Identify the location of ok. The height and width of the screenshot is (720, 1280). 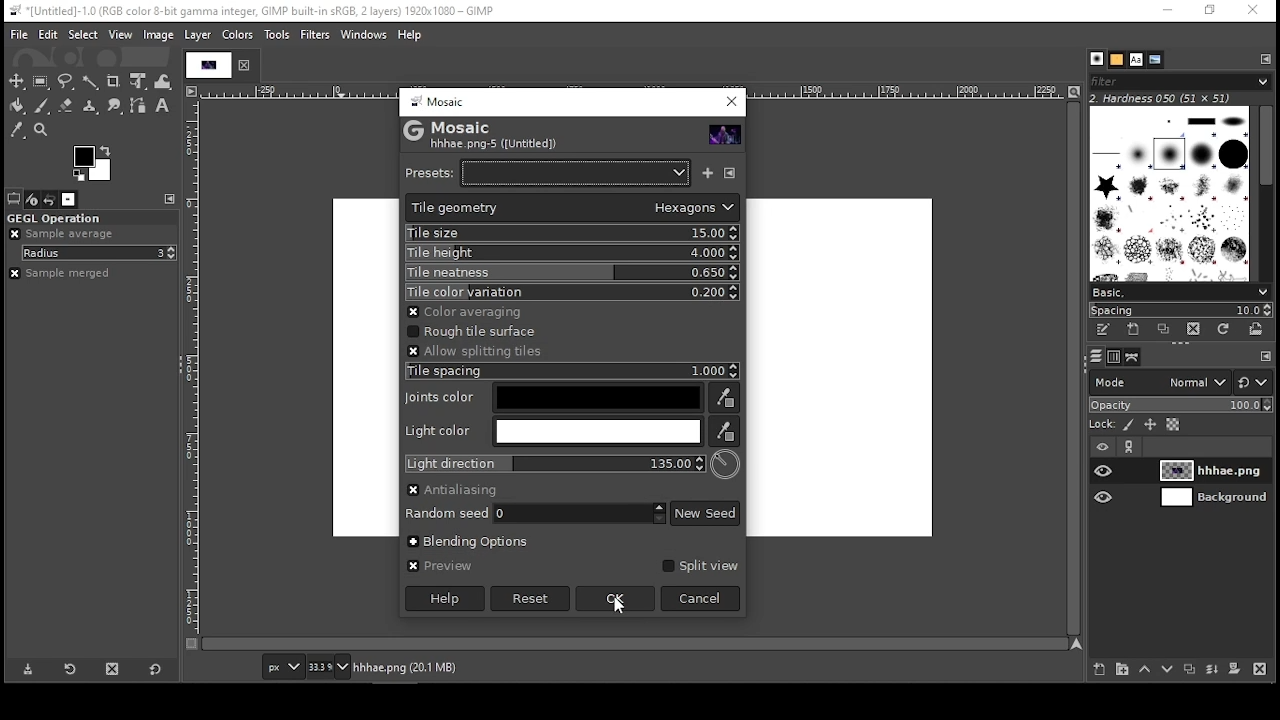
(614, 598).